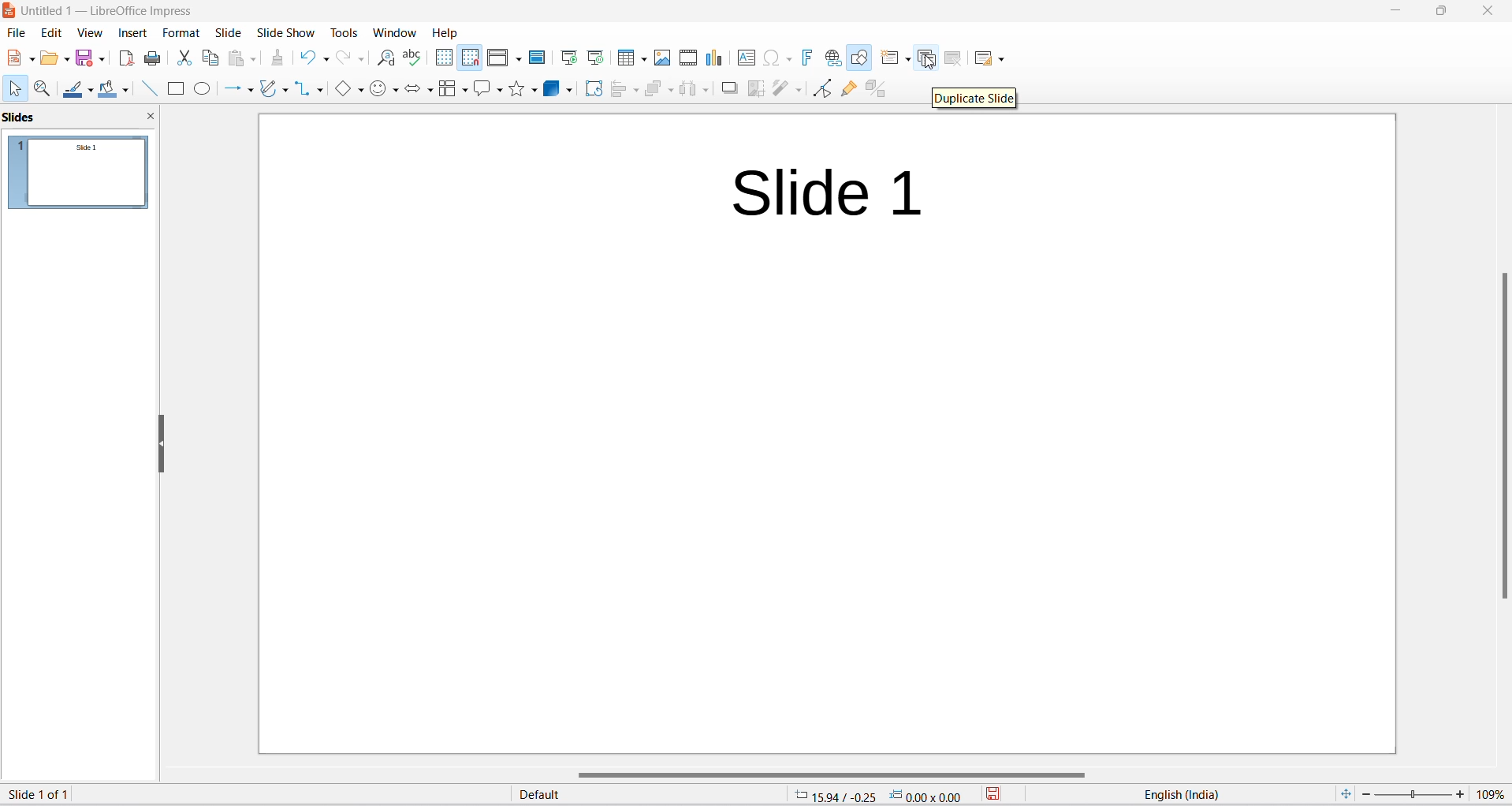 The width and height of the screenshot is (1512, 806). Describe the element at coordinates (955, 57) in the screenshot. I see `delete slide` at that location.